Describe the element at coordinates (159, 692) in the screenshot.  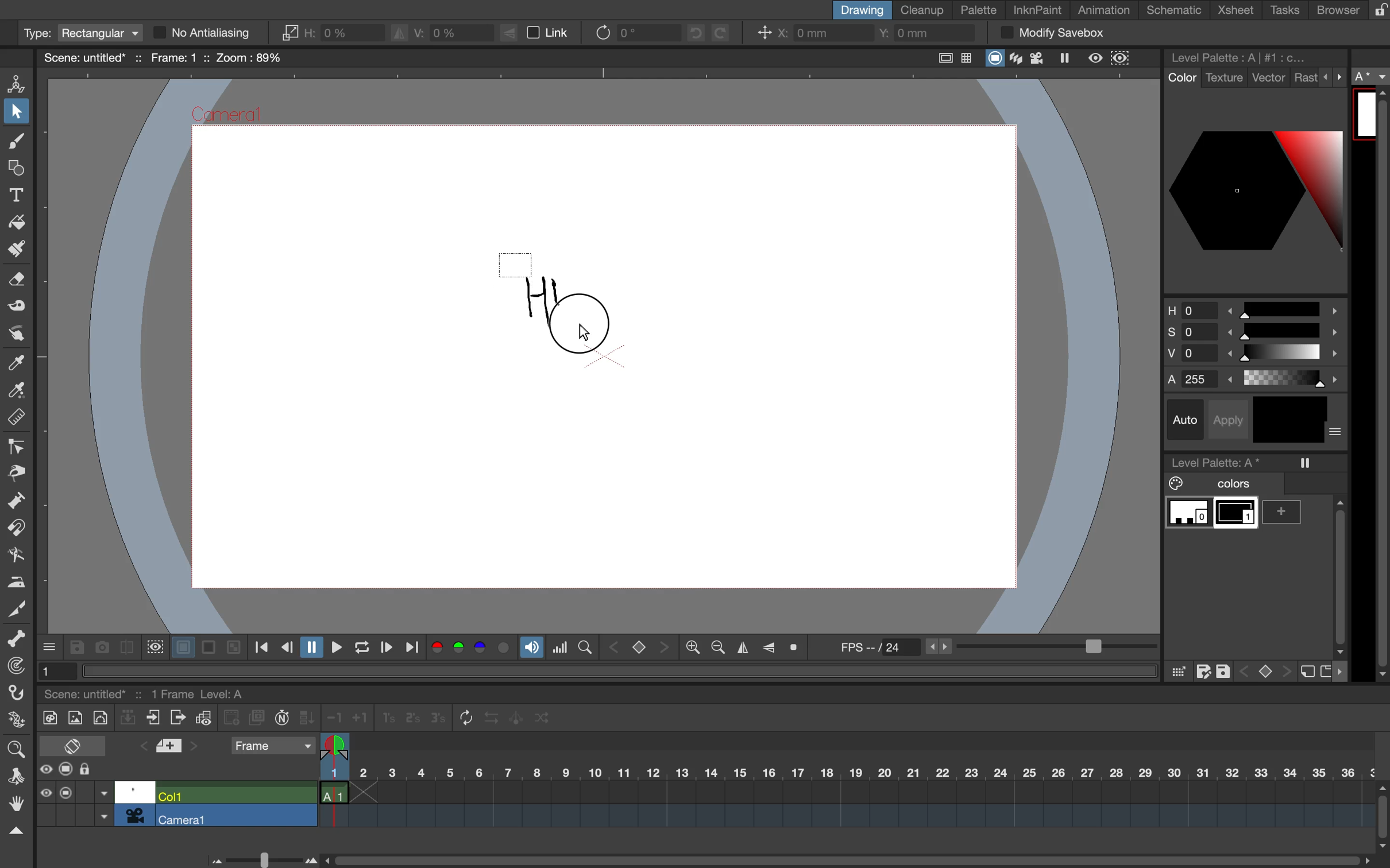
I see `scene and scene details` at that location.